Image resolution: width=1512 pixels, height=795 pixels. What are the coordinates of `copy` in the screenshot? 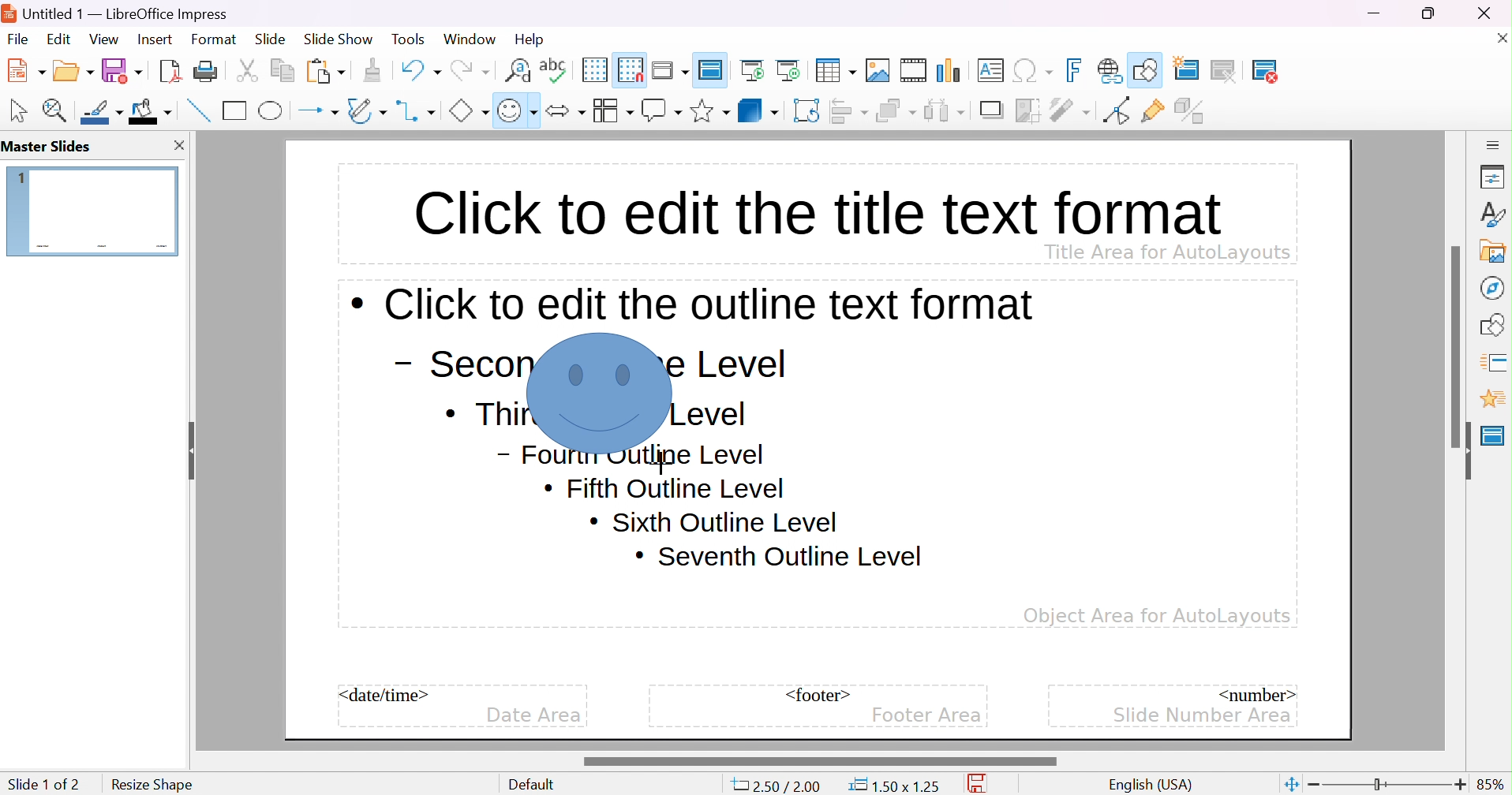 It's located at (283, 68).